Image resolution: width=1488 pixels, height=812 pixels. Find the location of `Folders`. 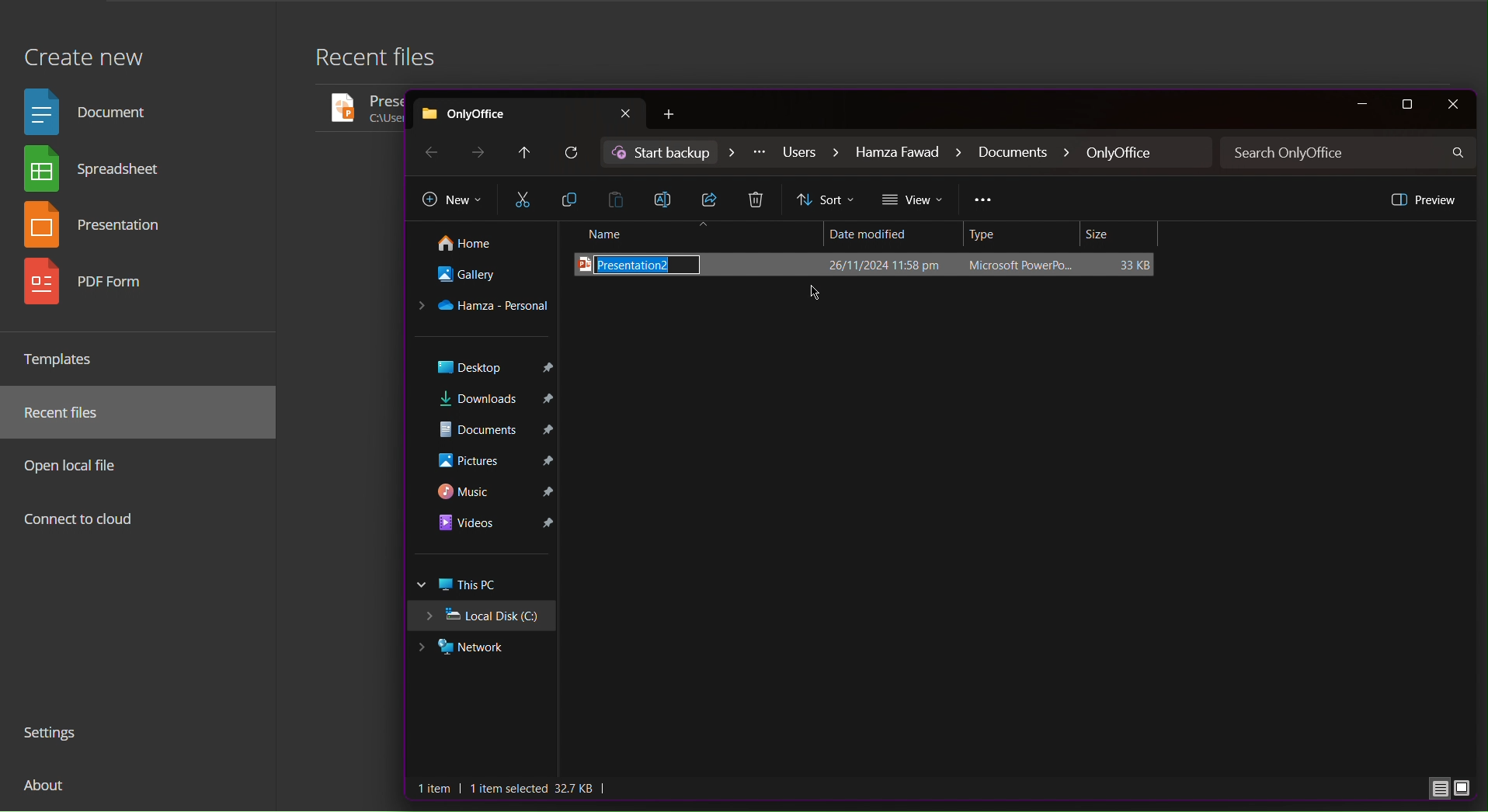

Folders is located at coordinates (485, 453).